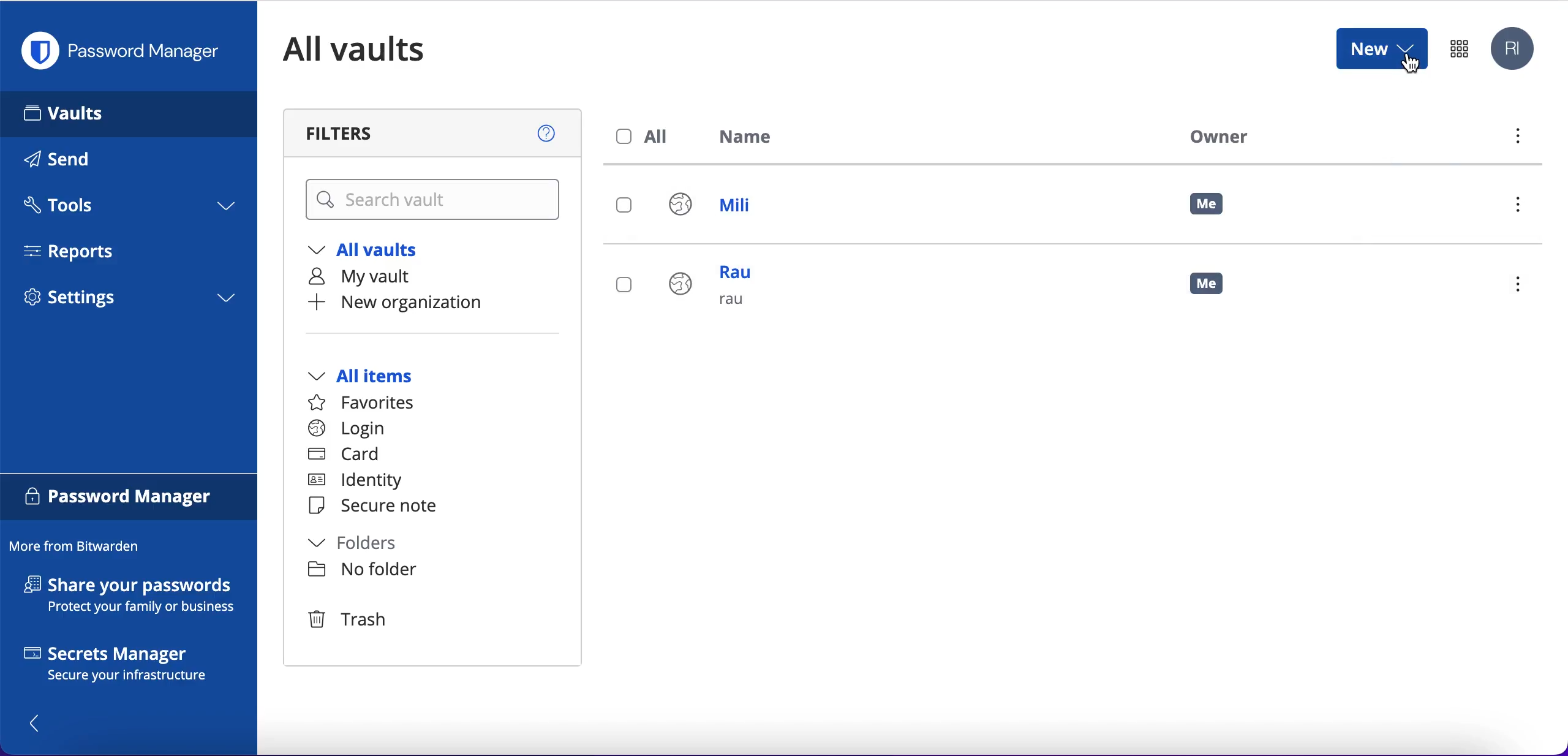 Image resolution: width=1568 pixels, height=756 pixels. Describe the element at coordinates (372, 252) in the screenshot. I see `all vaults` at that location.